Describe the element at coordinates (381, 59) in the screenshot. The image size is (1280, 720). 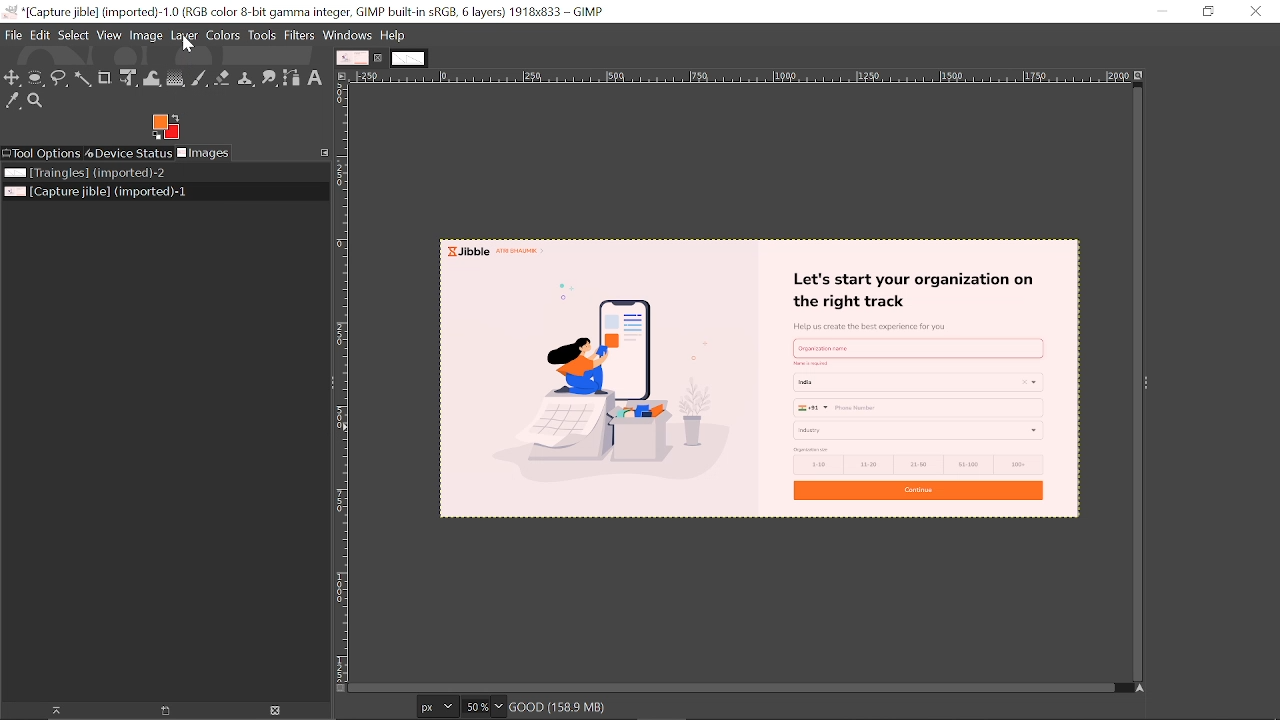
I see `Close current tab` at that location.